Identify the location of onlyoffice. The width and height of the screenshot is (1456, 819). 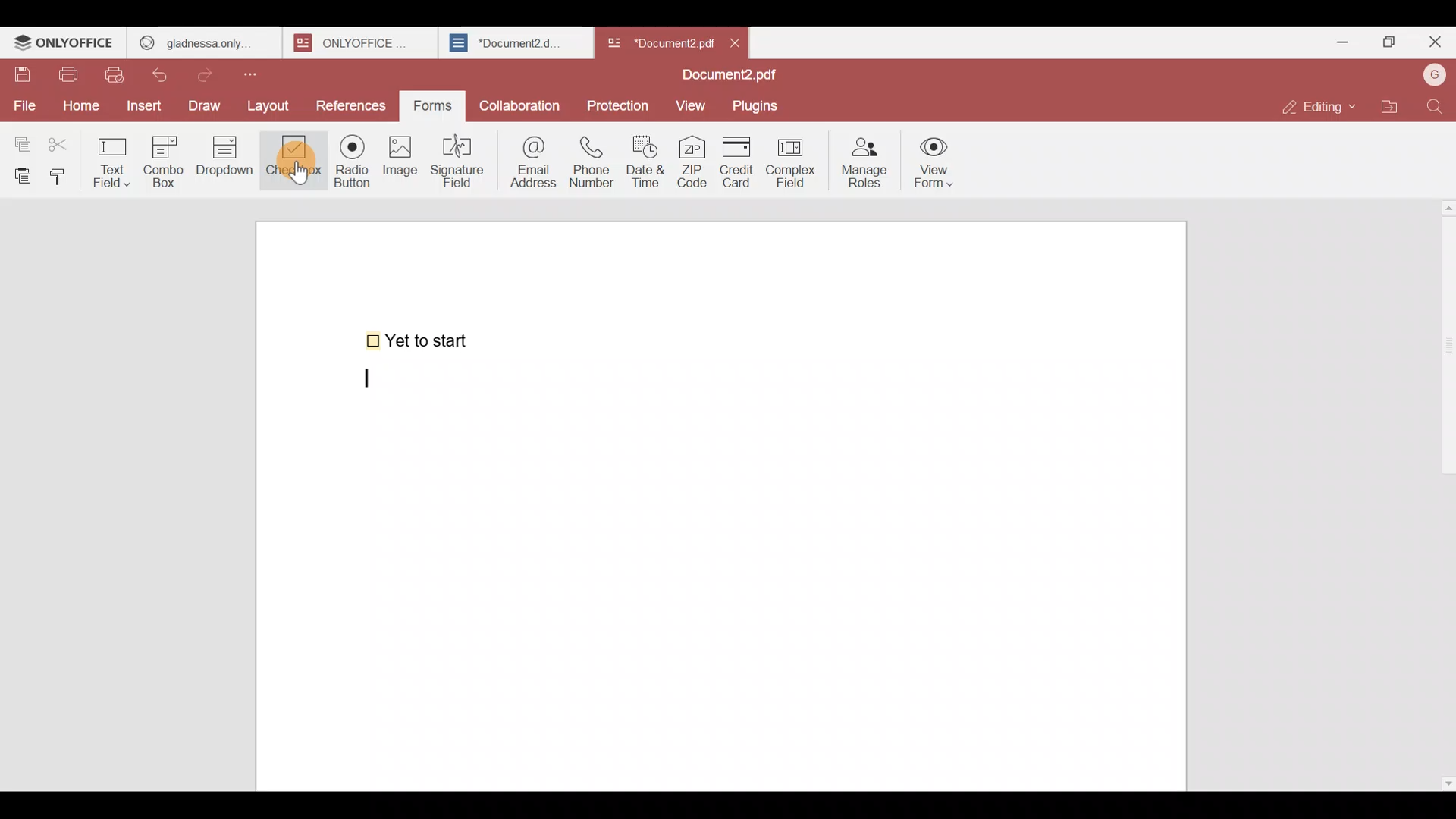
(355, 42).